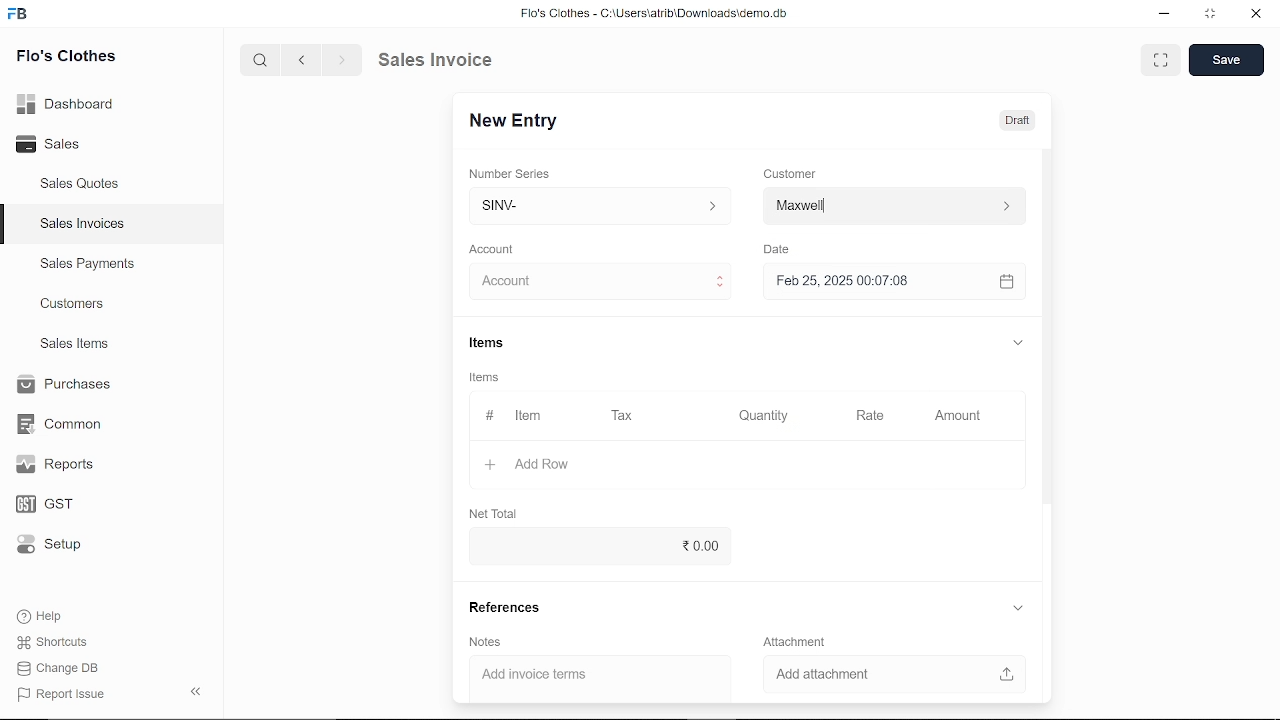 The height and width of the screenshot is (720, 1280). What do you see at coordinates (513, 417) in the screenshot?
I see `# Item` at bounding box center [513, 417].